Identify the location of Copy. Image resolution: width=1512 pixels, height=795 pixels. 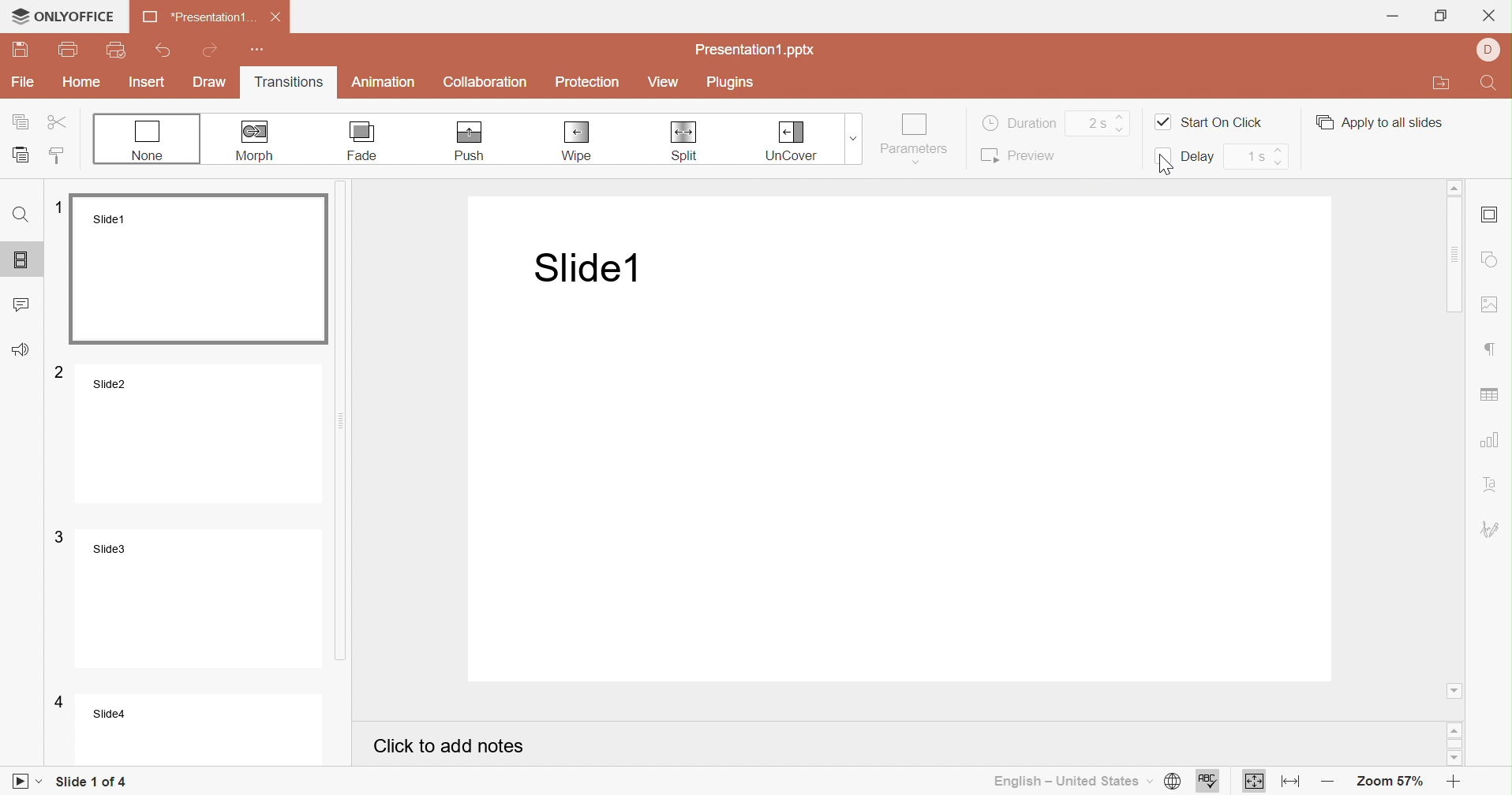
(22, 121).